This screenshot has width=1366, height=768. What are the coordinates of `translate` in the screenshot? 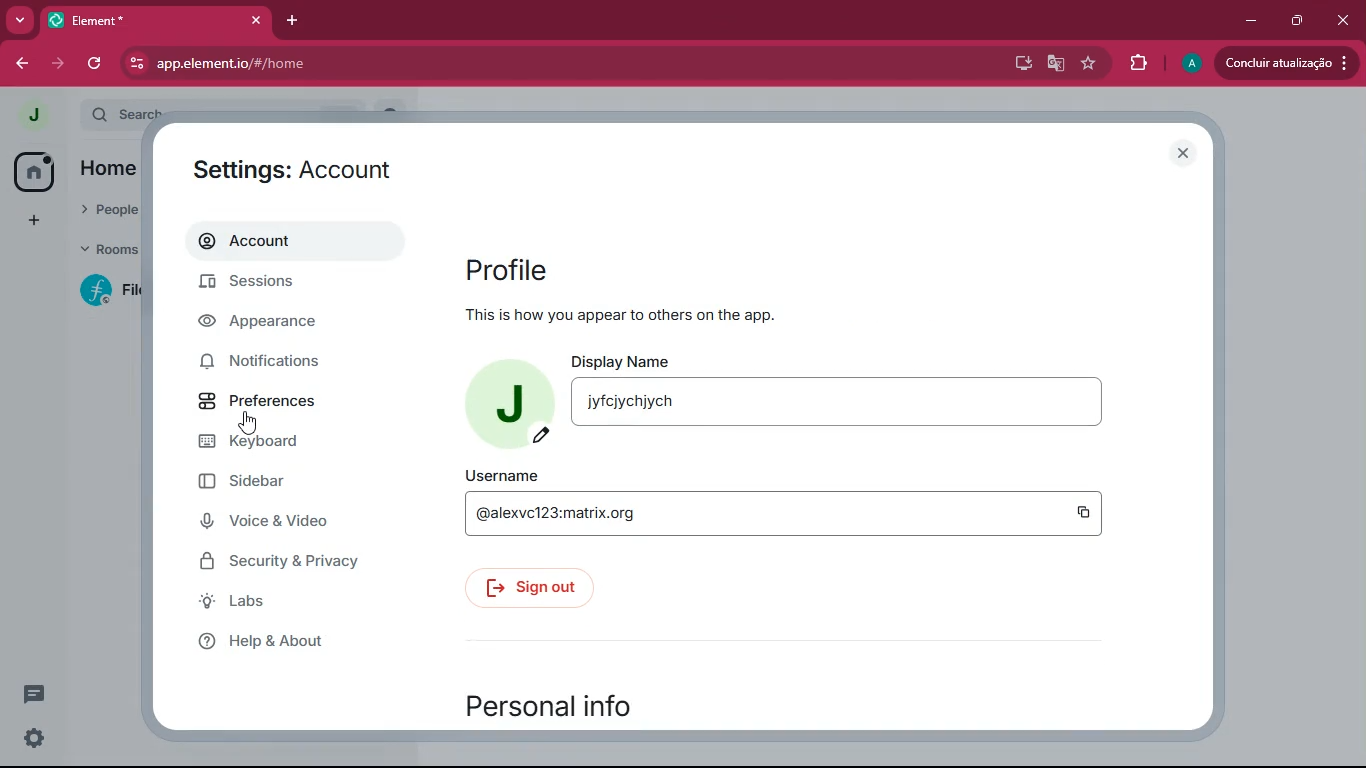 It's located at (1057, 64).